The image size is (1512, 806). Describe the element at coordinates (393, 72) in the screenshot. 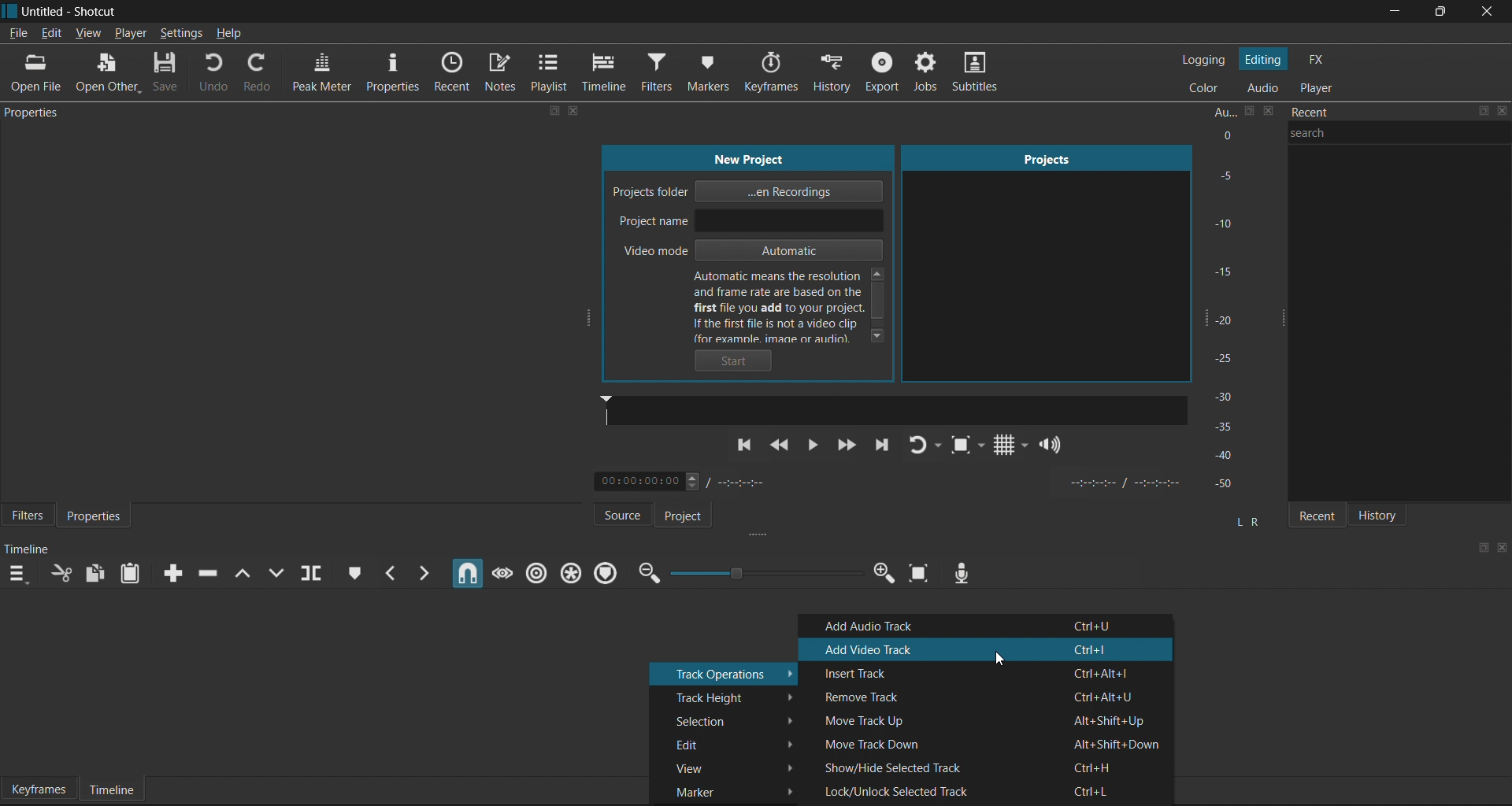

I see `Properties` at that location.